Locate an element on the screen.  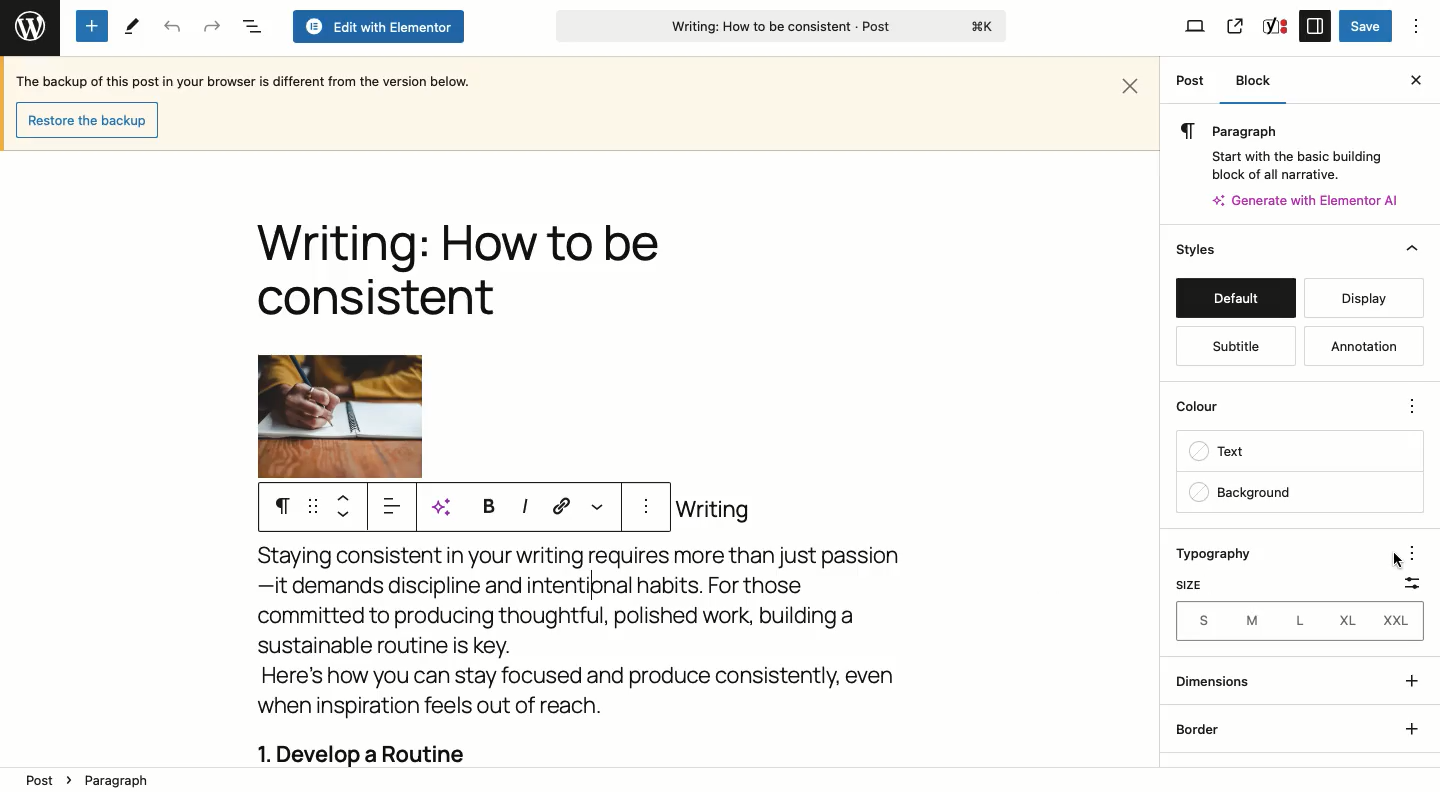
Italics is located at coordinates (524, 505).